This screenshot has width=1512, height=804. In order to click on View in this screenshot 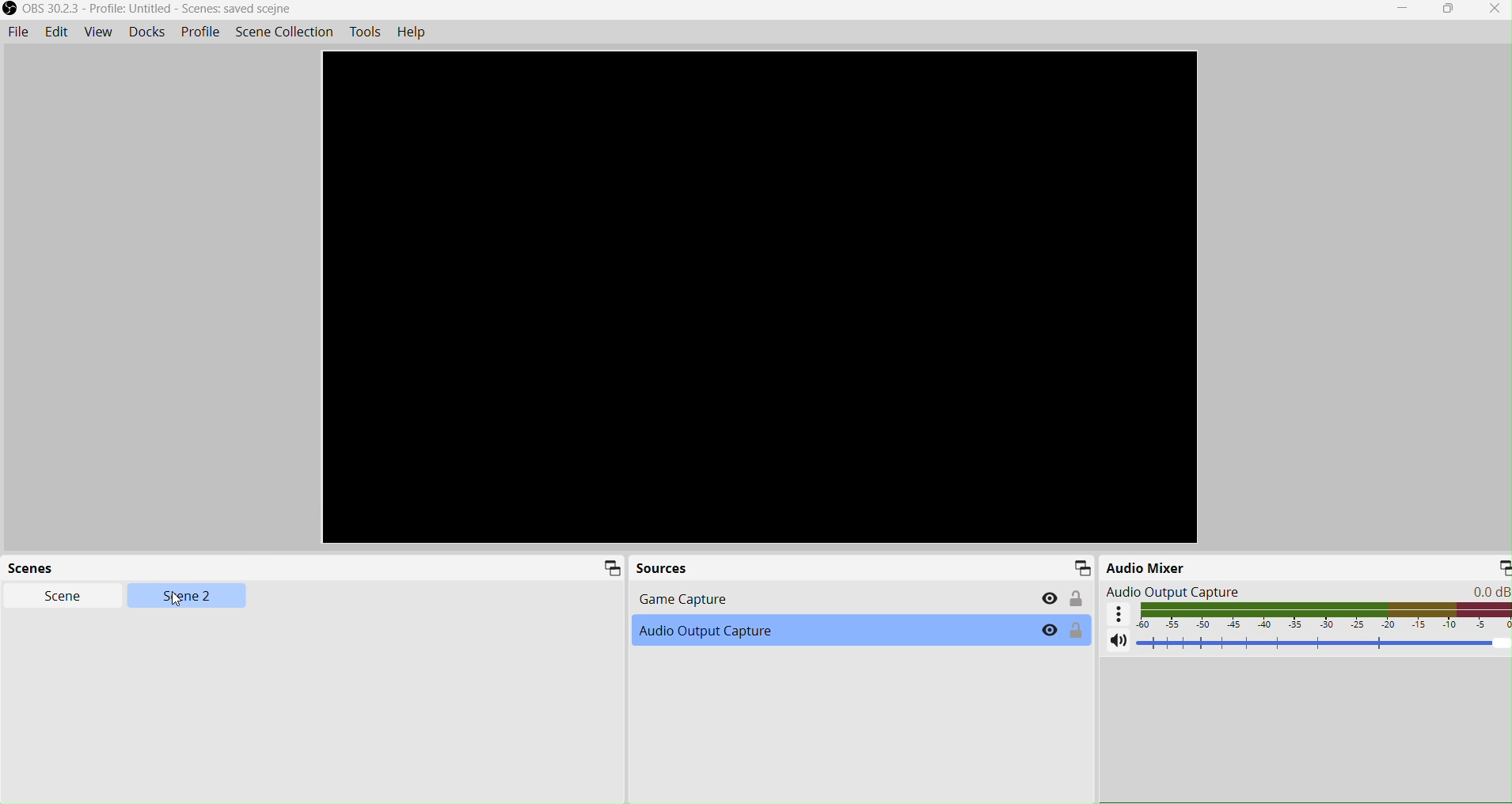, I will do `click(97, 31)`.